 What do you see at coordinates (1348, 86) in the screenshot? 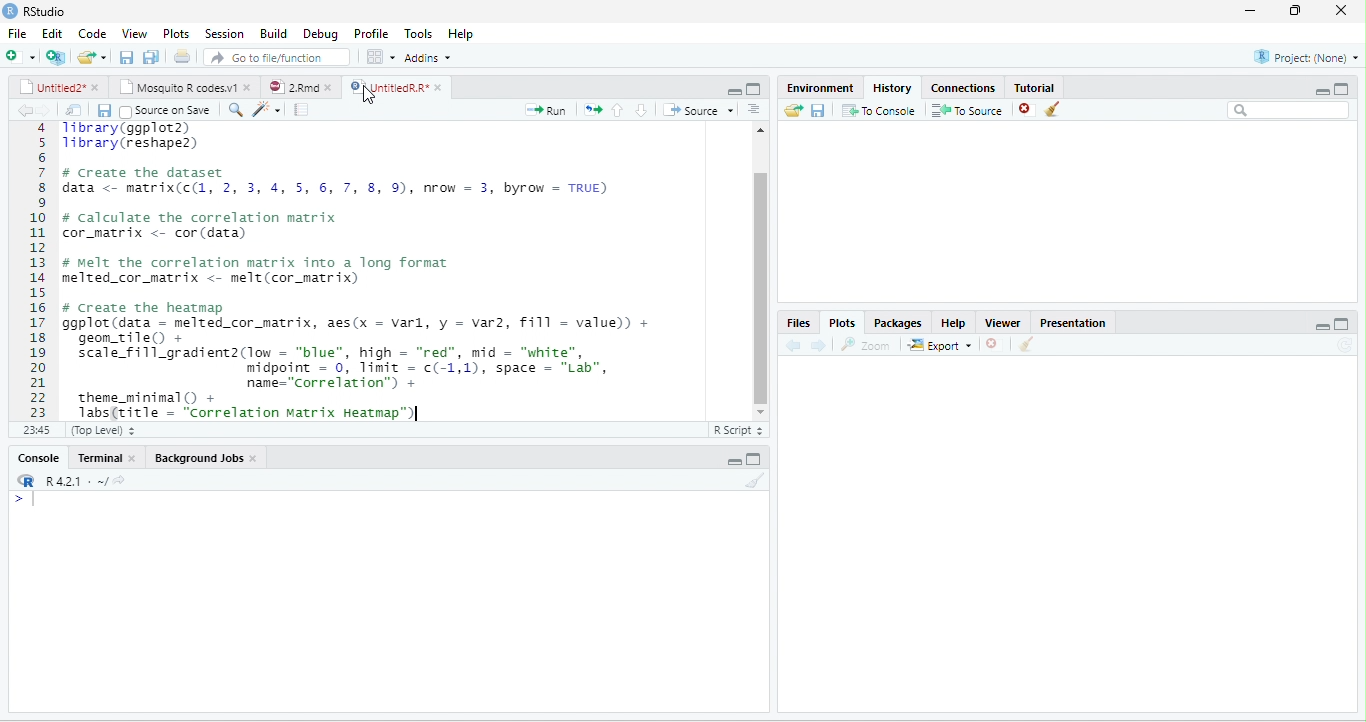
I see `aximize ` at bounding box center [1348, 86].